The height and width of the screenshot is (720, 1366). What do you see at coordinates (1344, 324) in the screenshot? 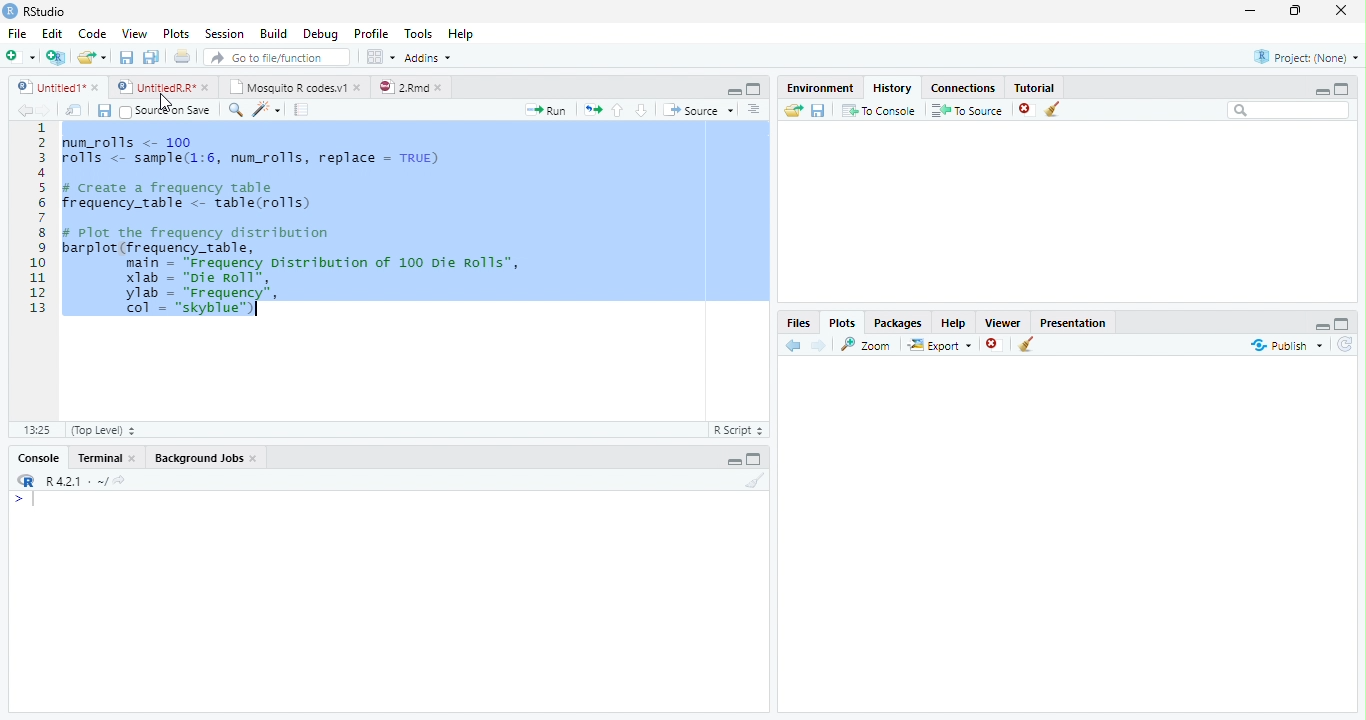
I see `Full Height` at bounding box center [1344, 324].